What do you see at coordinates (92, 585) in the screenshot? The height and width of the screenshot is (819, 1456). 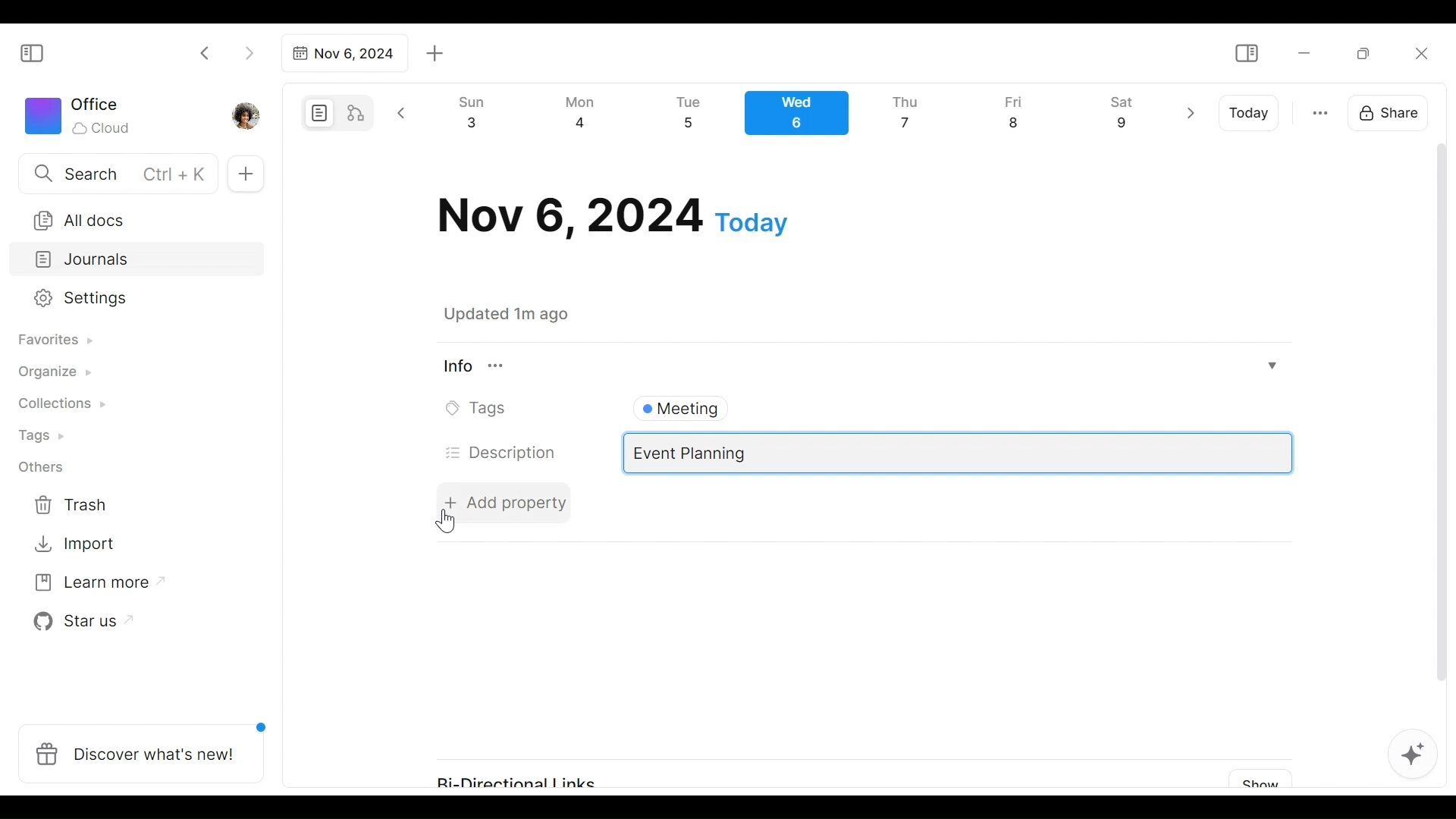 I see `Learn more` at bounding box center [92, 585].